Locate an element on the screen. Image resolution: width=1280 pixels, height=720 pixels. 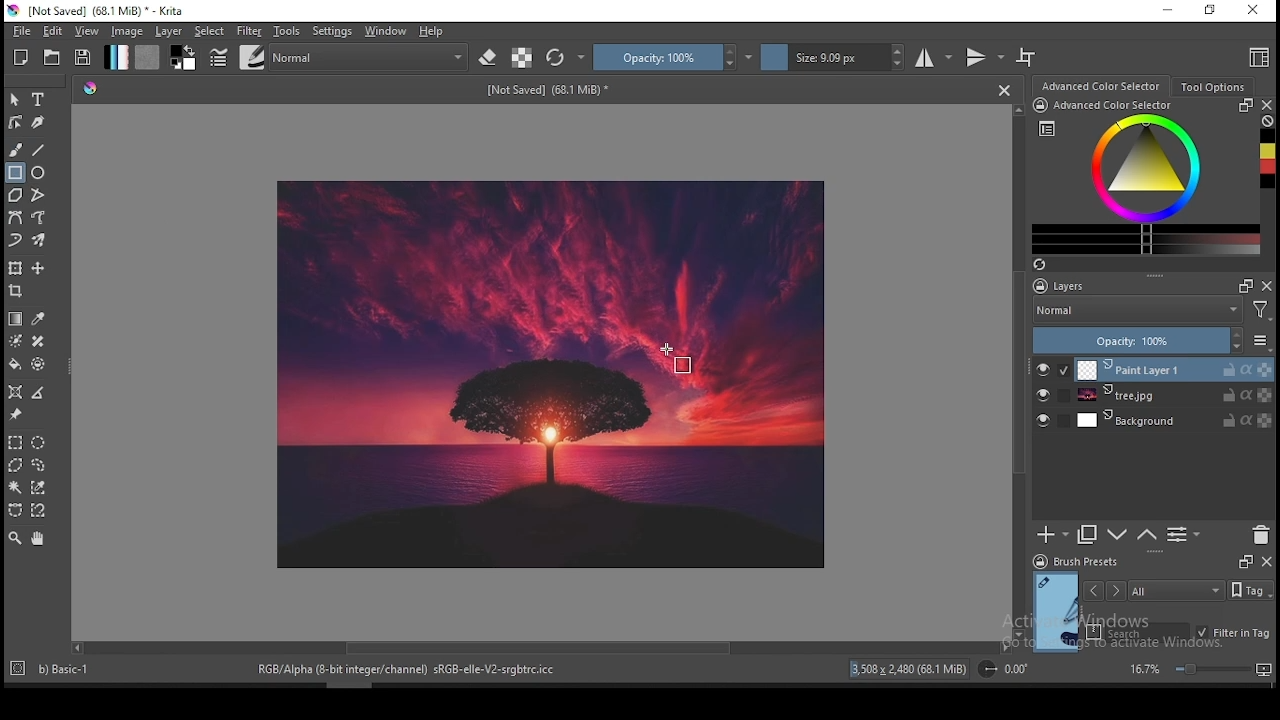
duplicate layer is located at coordinates (1088, 536).